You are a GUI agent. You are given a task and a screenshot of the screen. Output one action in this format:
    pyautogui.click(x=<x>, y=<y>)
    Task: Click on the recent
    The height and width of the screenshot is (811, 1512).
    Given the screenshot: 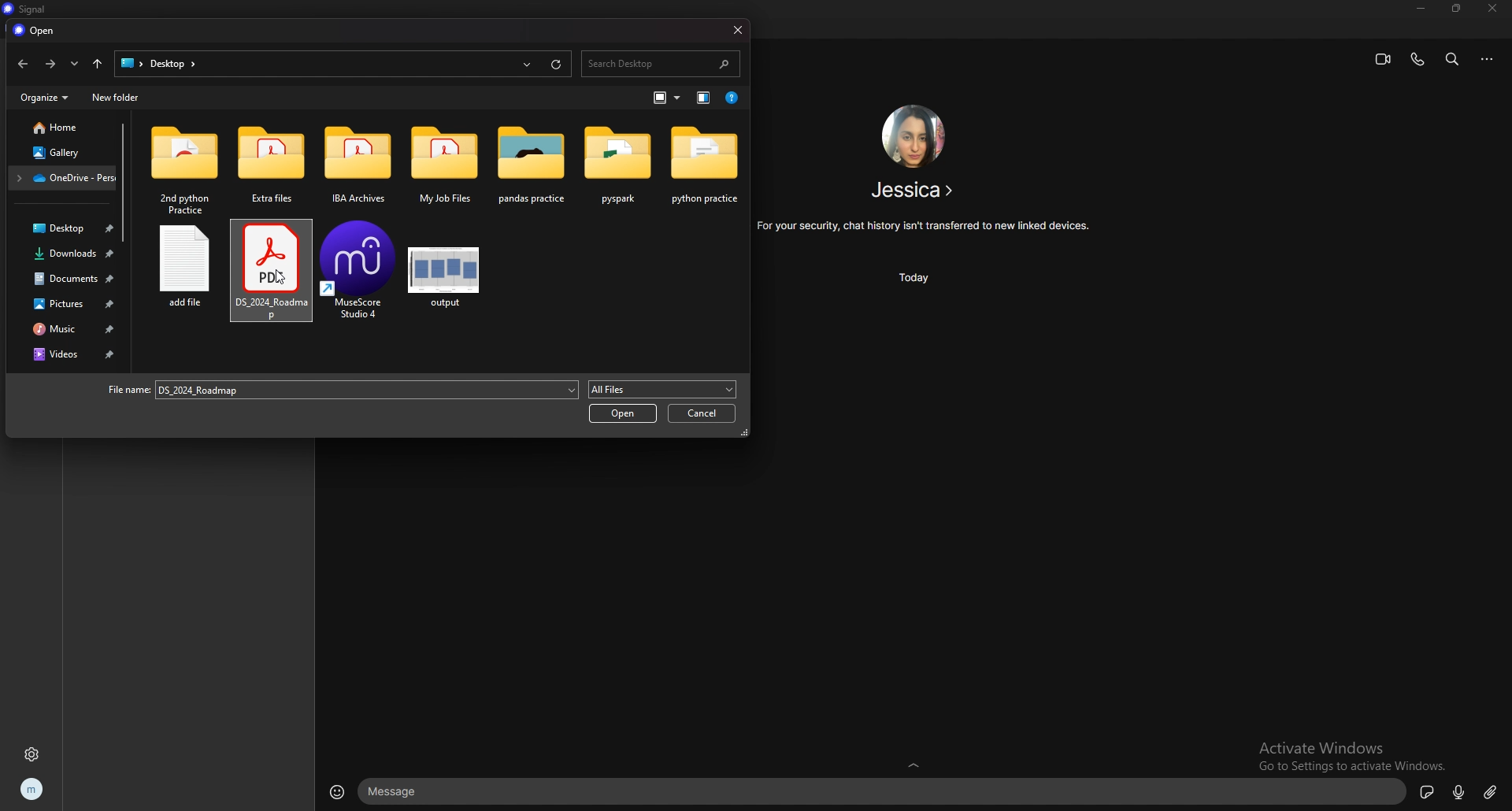 What is the action you would take?
    pyautogui.click(x=76, y=64)
    